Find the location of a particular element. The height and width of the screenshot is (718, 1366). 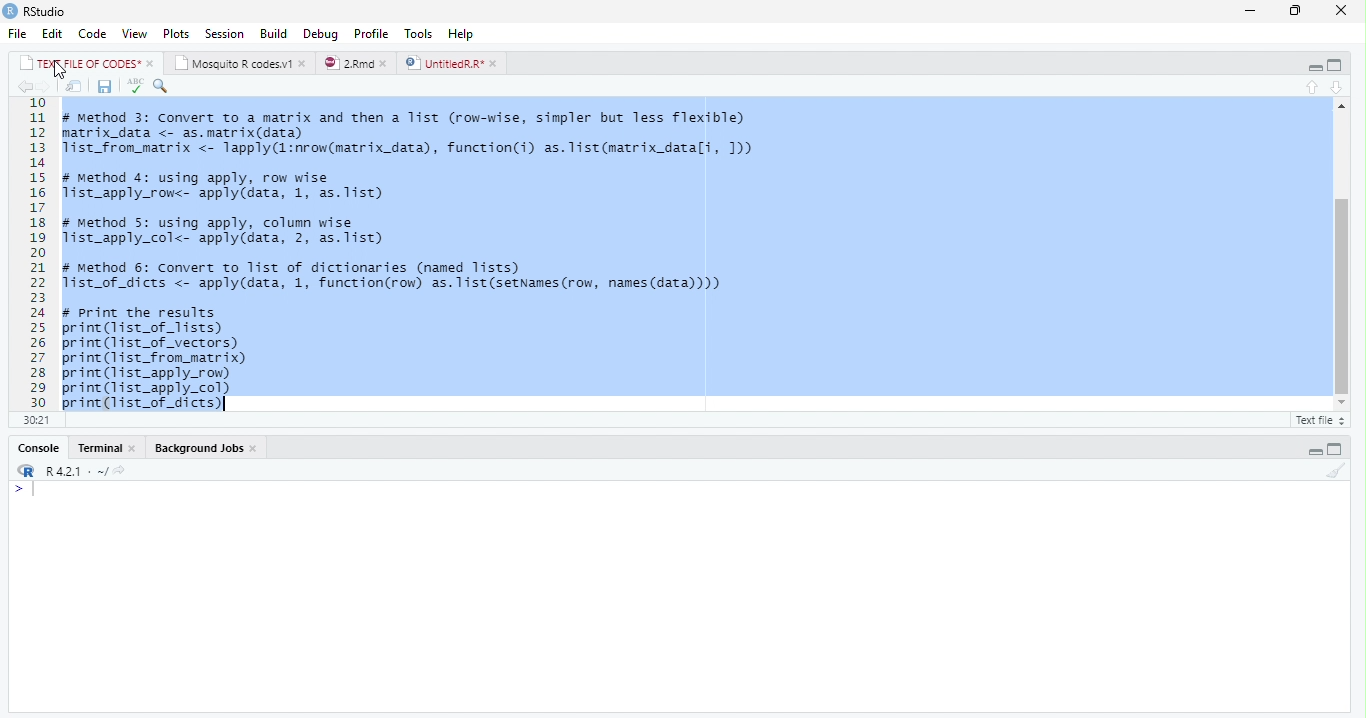

Spell Check is located at coordinates (133, 87).